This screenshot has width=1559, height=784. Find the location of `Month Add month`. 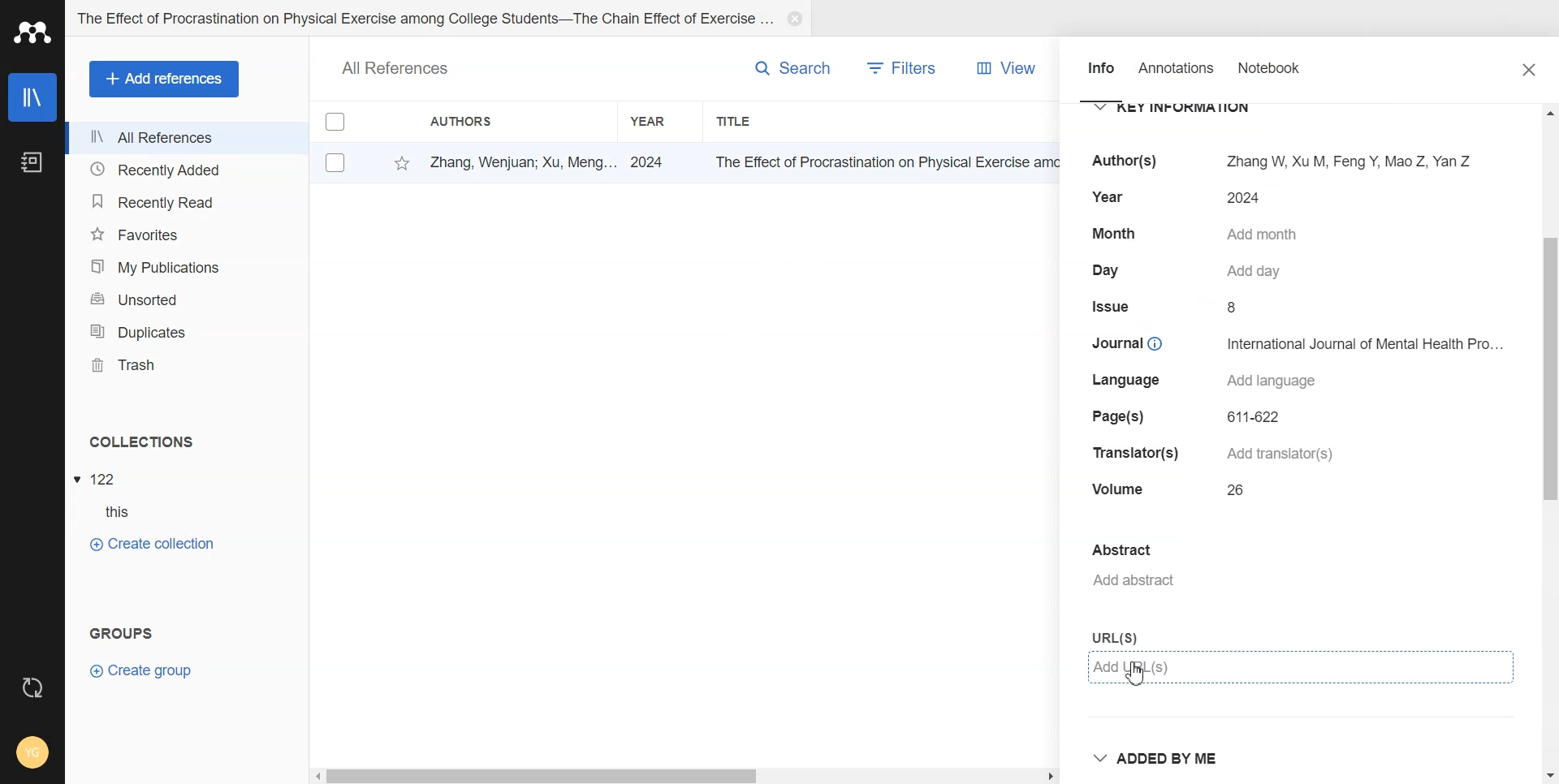

Month Add month is located at coordinates (1198, 234).